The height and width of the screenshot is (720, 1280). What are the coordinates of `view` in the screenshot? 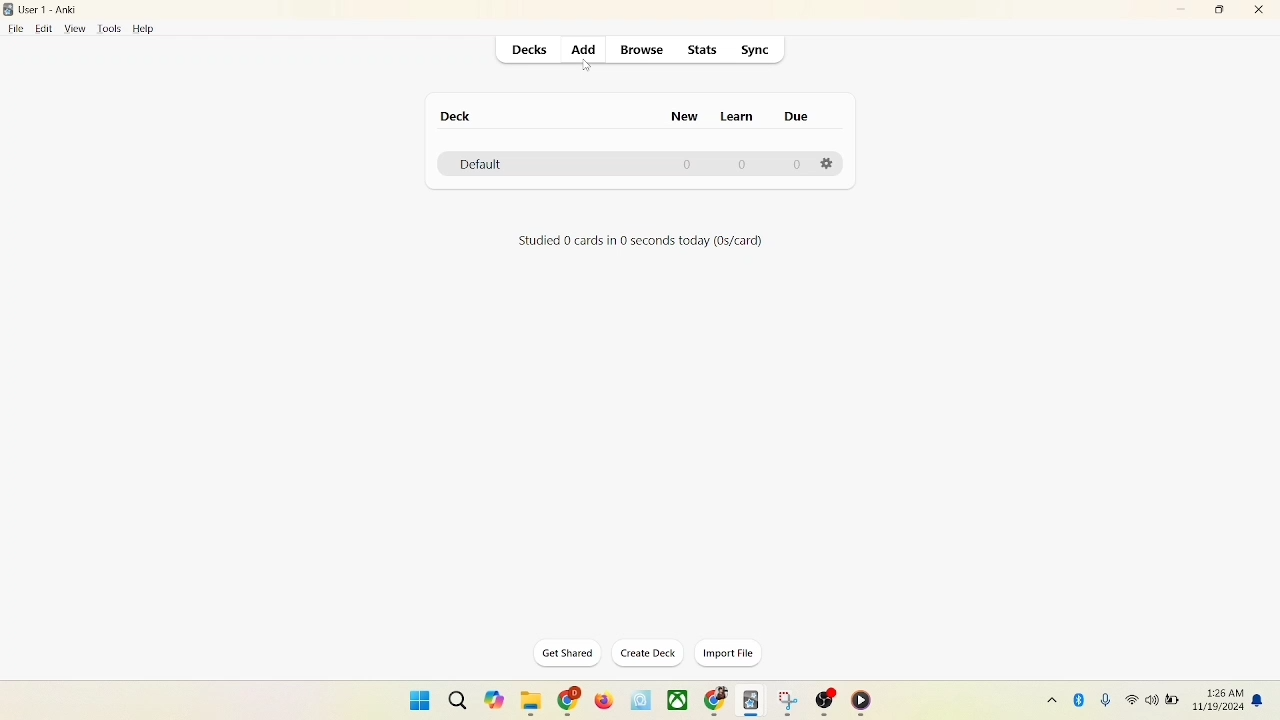 It's located at (77, 30).